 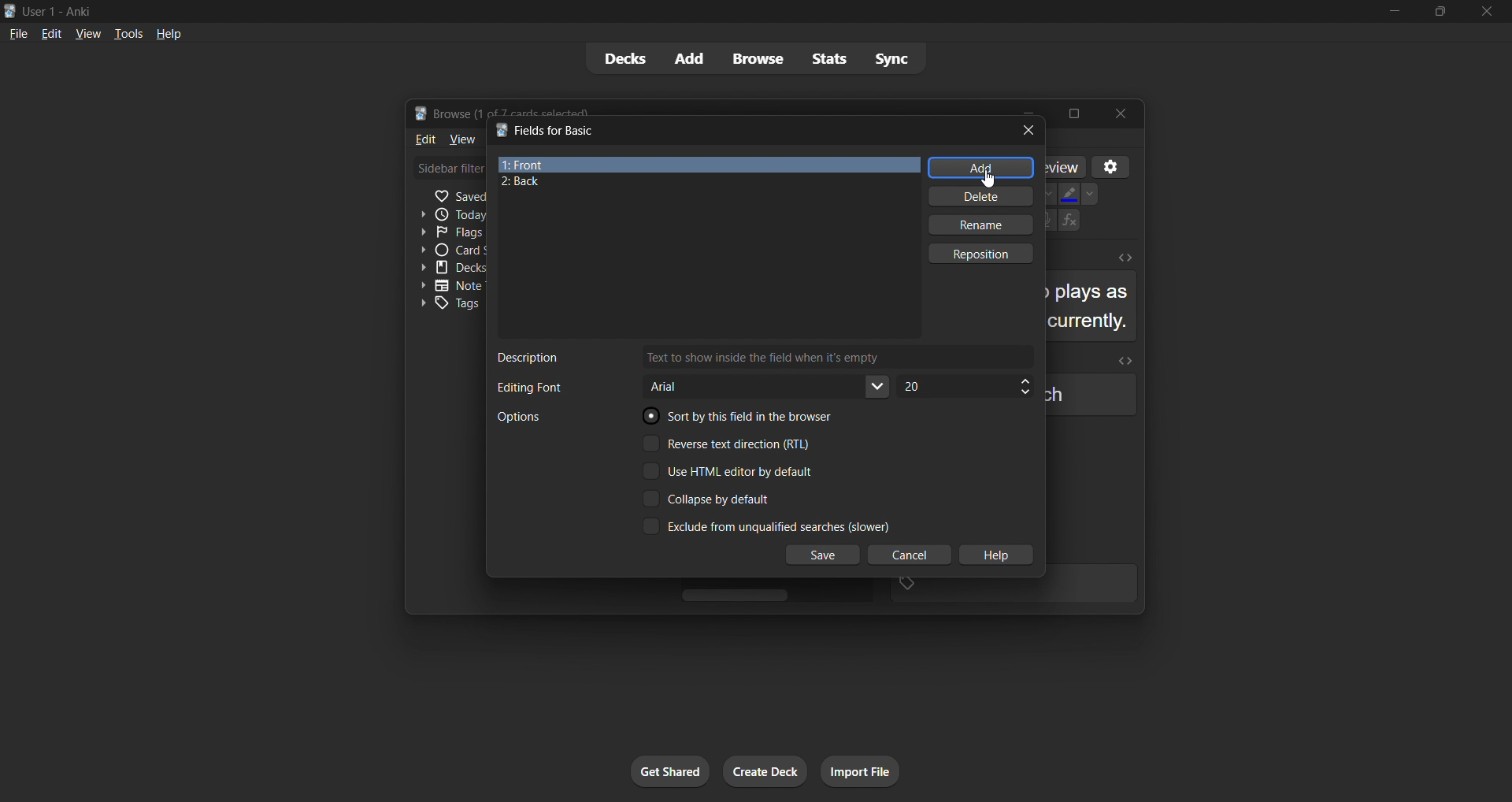 What do you see at coordinates (728, 497) in the screenshot?
I see `Collapse by default` at bounding box center [728, 497].